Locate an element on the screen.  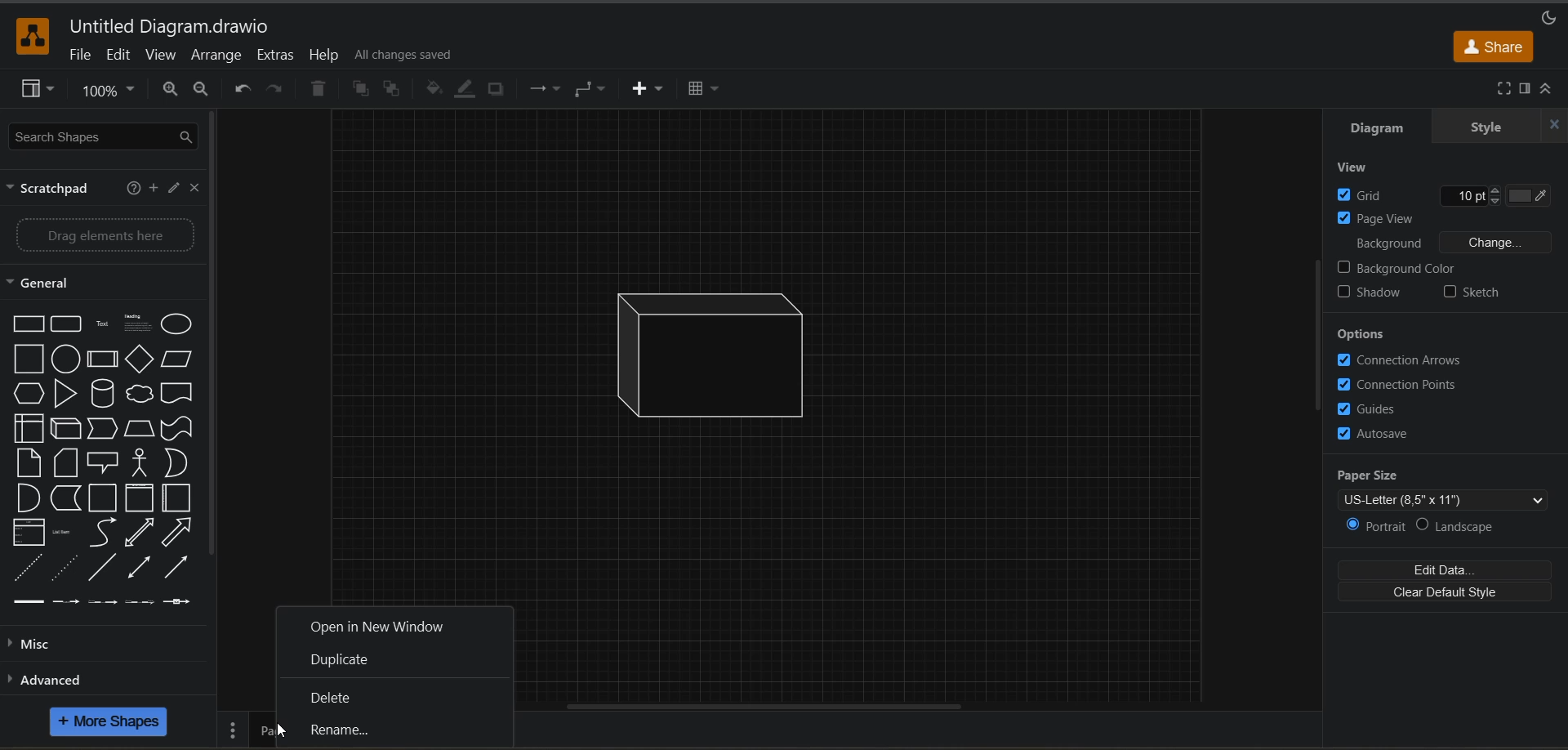
insert is located at coordinates (655, 90).